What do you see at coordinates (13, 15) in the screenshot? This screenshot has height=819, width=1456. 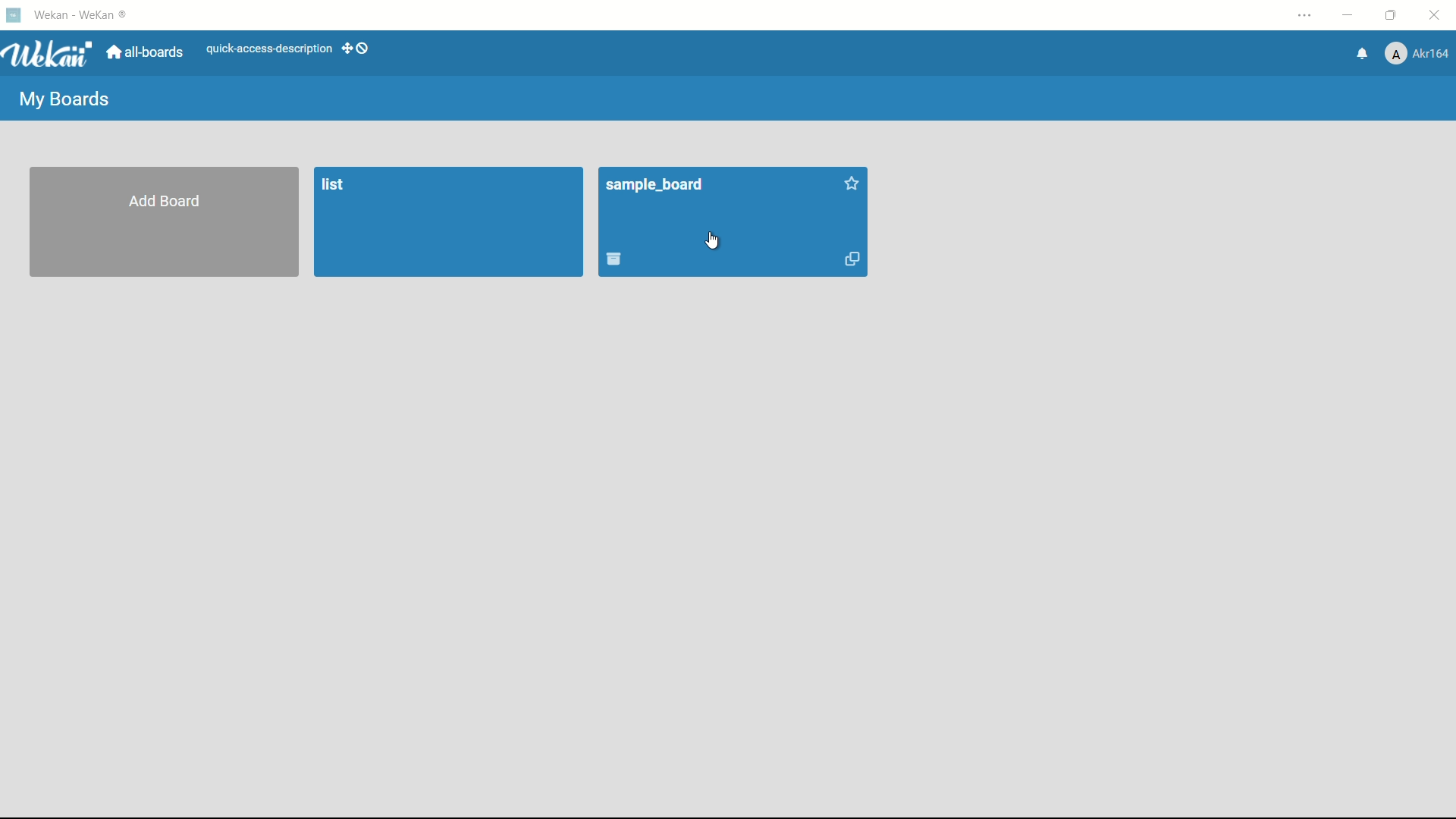 I see `Wekan icon` at bounding box center [13, 15].